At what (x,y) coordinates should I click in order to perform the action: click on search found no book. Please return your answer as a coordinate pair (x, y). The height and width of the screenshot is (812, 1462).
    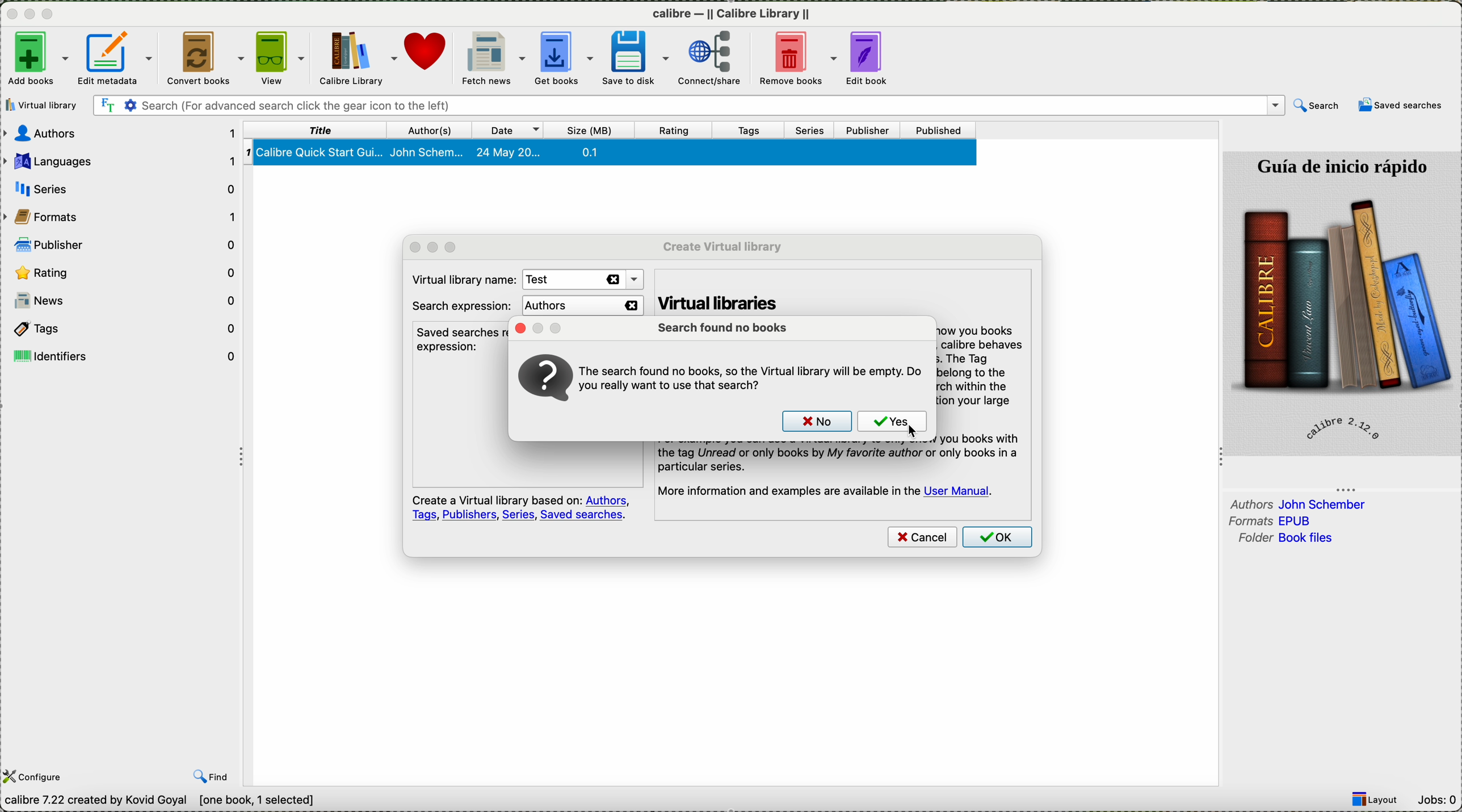
    Looking at the image, I should click on (728, 329).